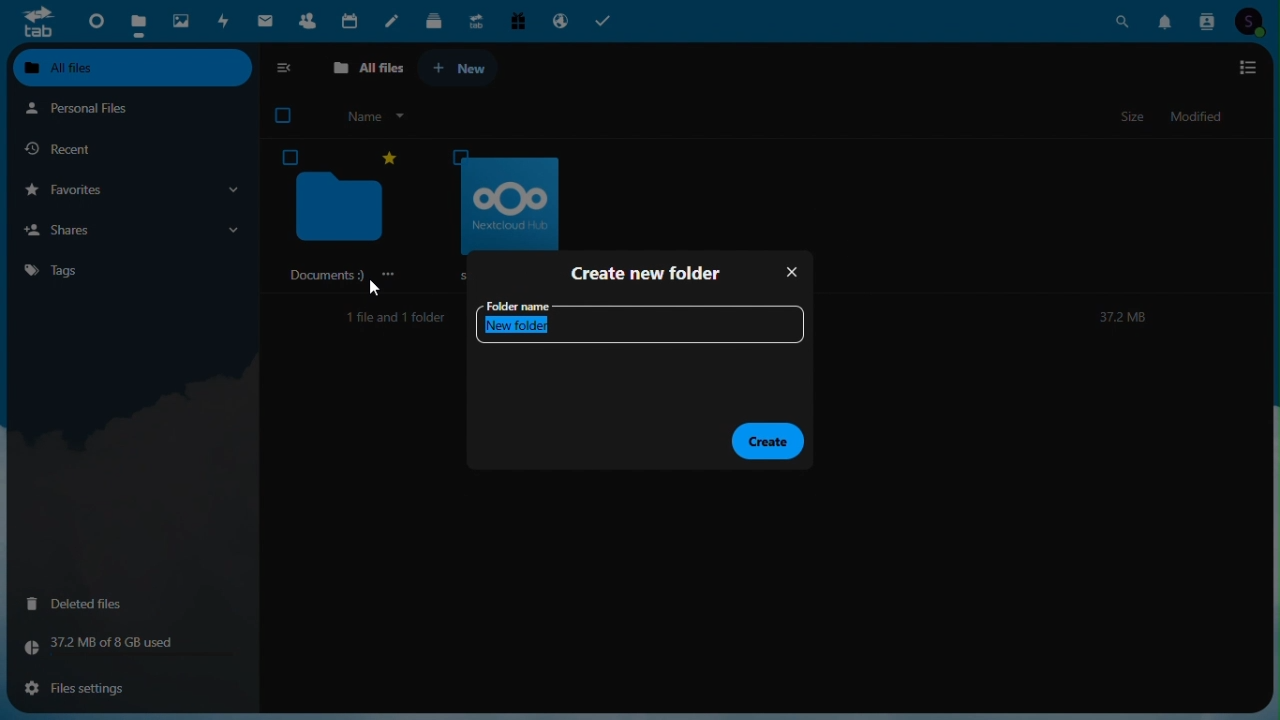  What do you see at coordinates (352, 19) in the screenshot?
I see `Calendar` at bounding box center [352, 19].